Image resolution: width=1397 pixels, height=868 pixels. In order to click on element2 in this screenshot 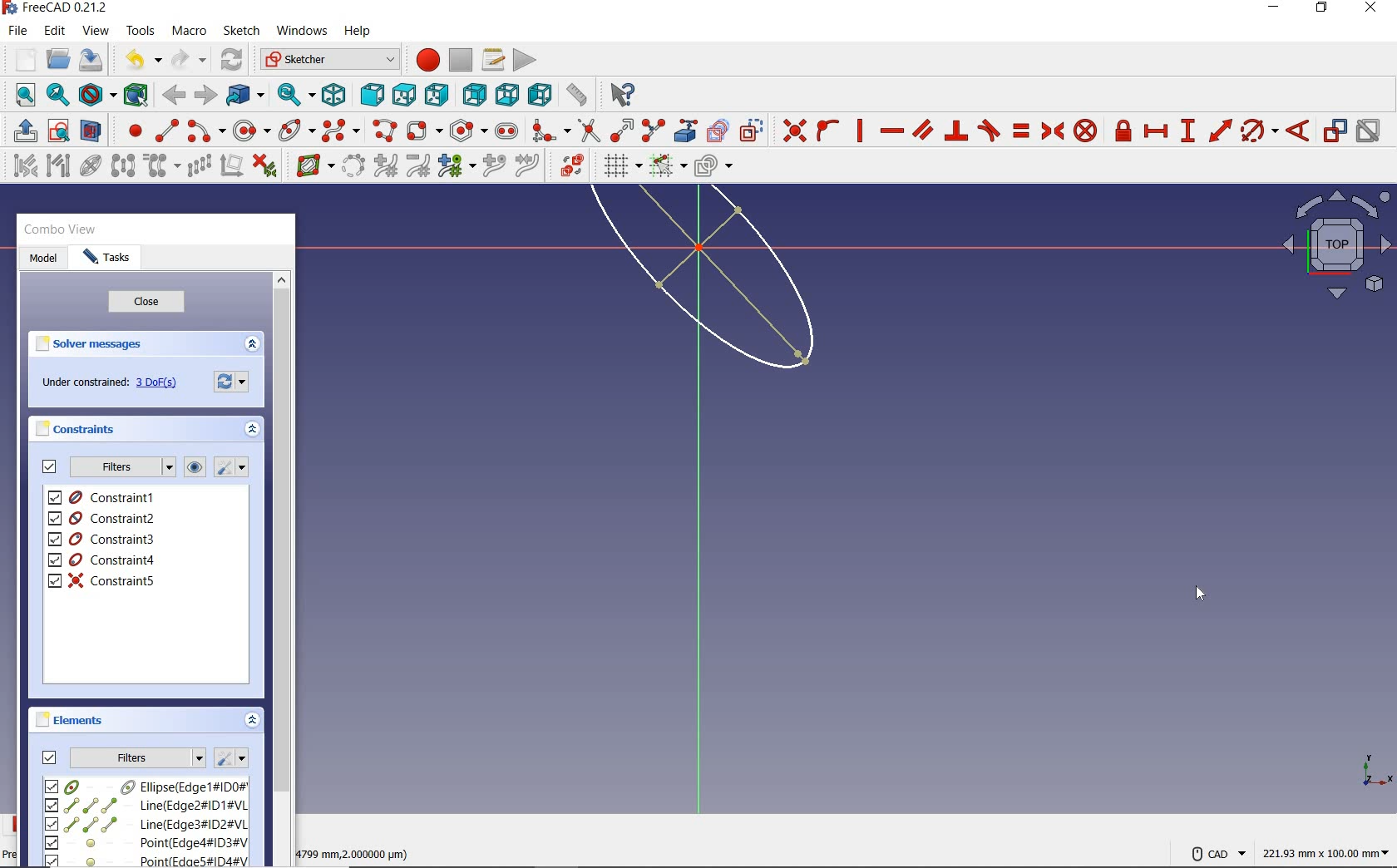, I will do `click(146, 805)`.